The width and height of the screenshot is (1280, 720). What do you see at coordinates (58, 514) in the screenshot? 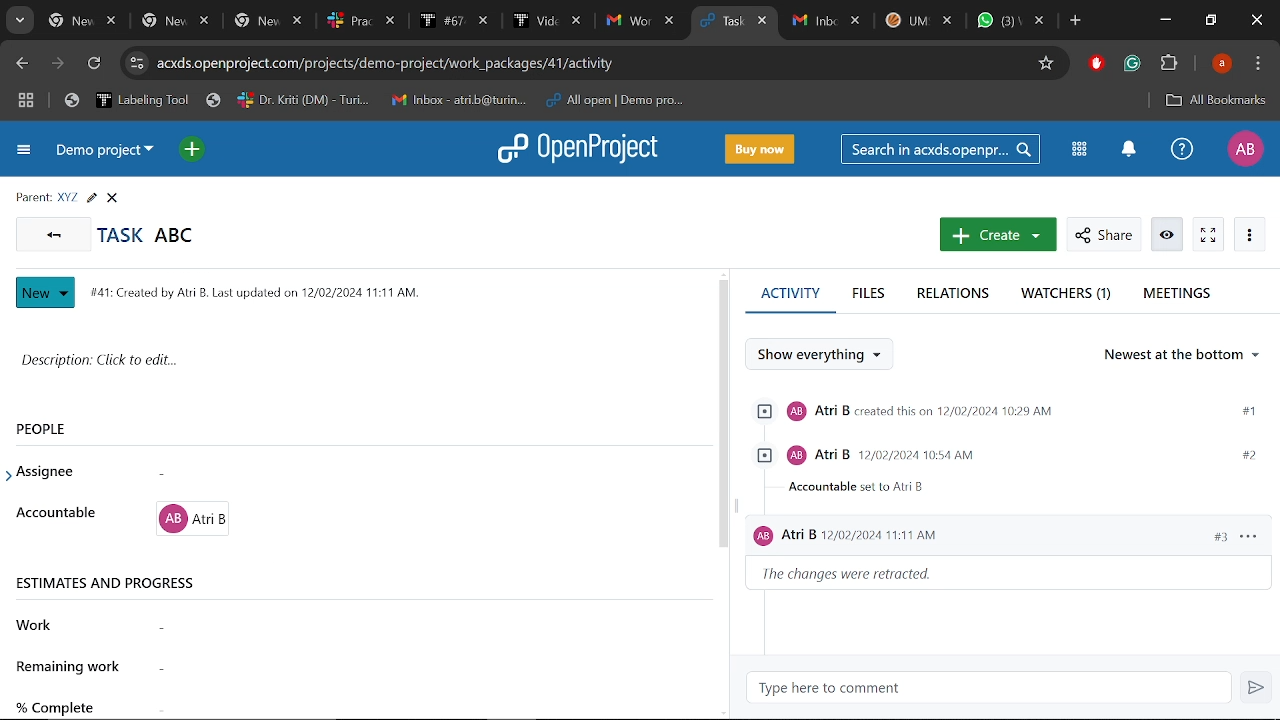
I see `Accountable` at bounding box center [58, 514].